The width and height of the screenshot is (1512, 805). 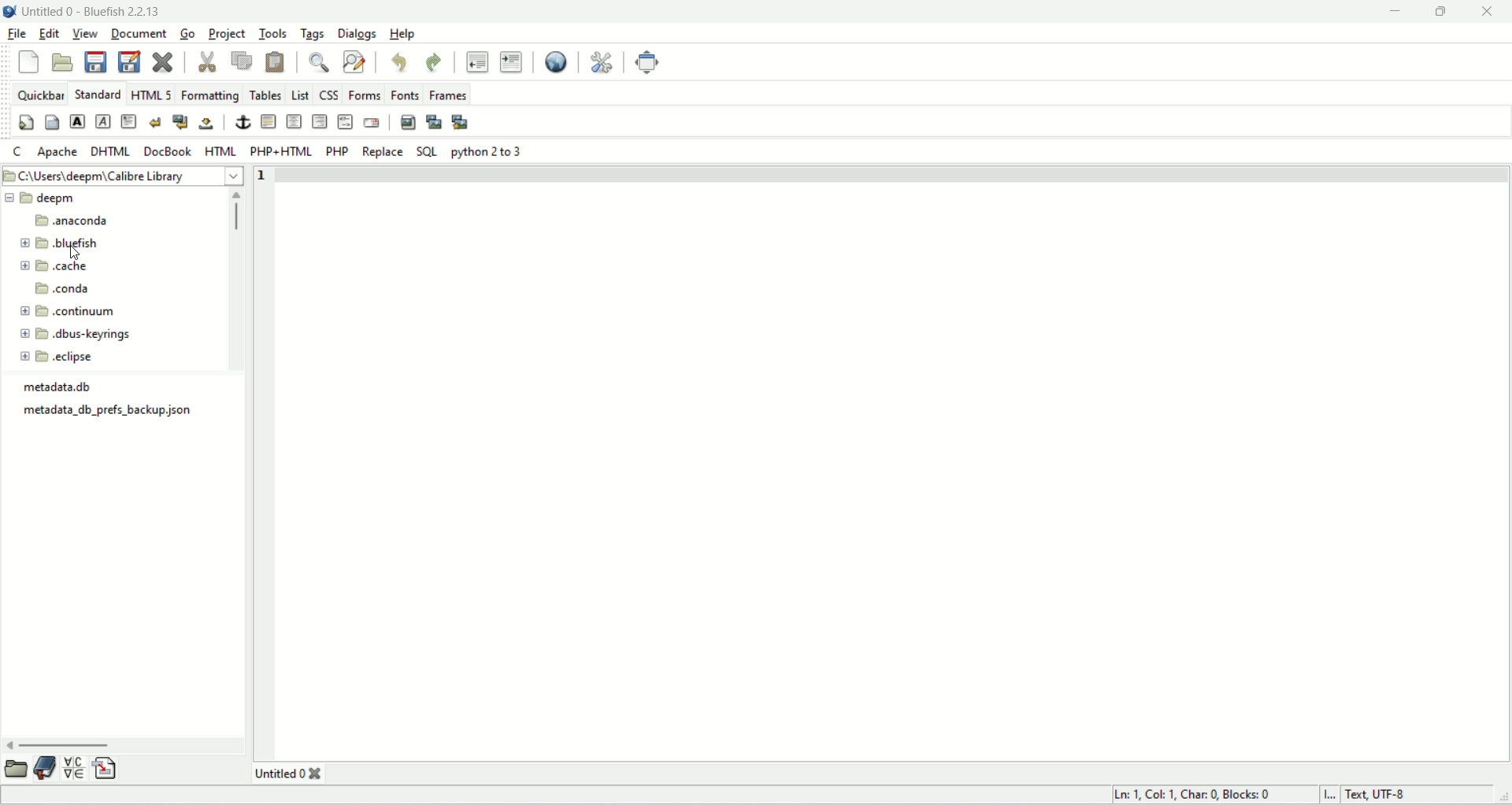 What do you see at coordinates (427, 151) in the screenshot?
I see `SQL` at bounding box center [427, 151].